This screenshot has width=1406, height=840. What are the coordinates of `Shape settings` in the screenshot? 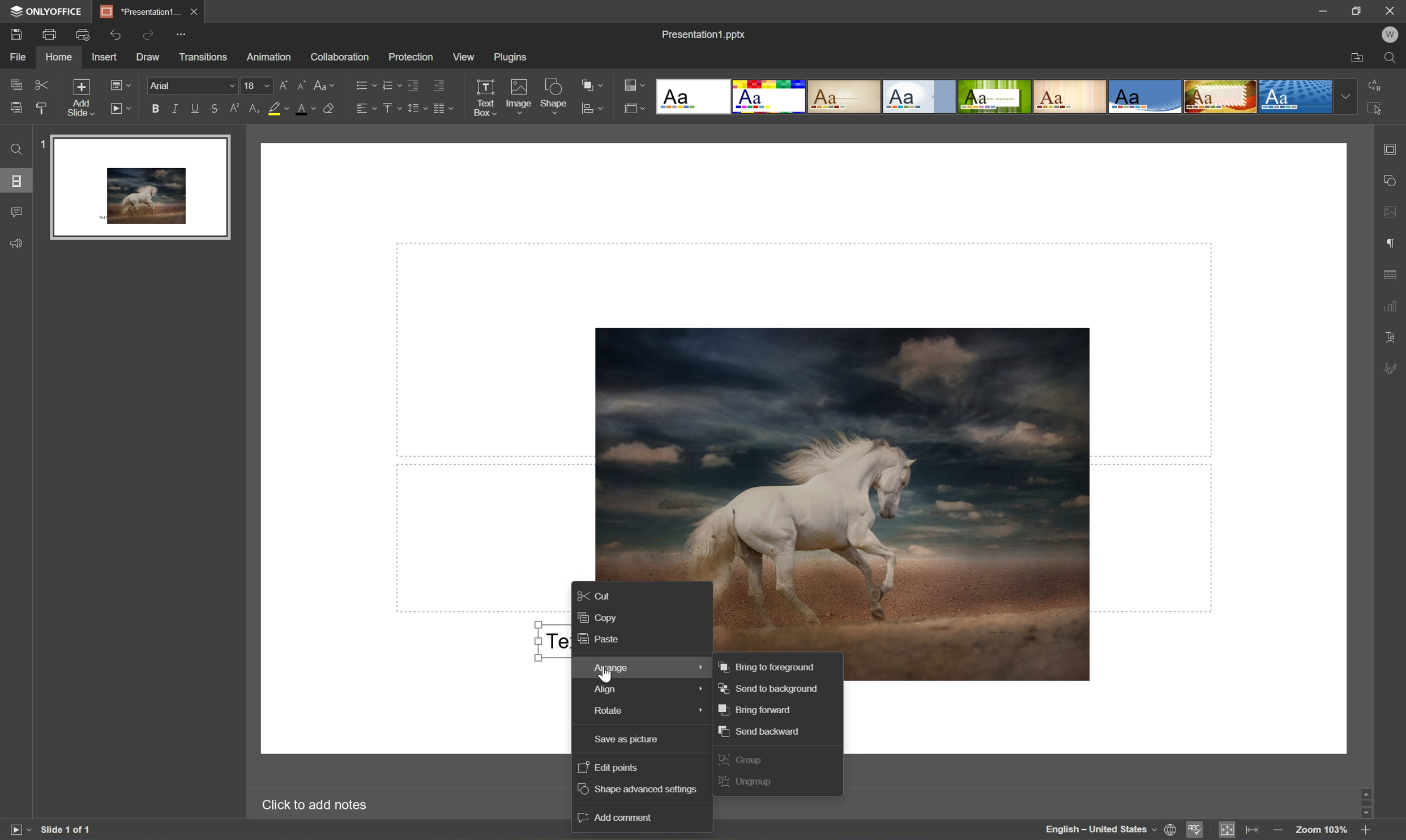 It's located at (1394, 179).